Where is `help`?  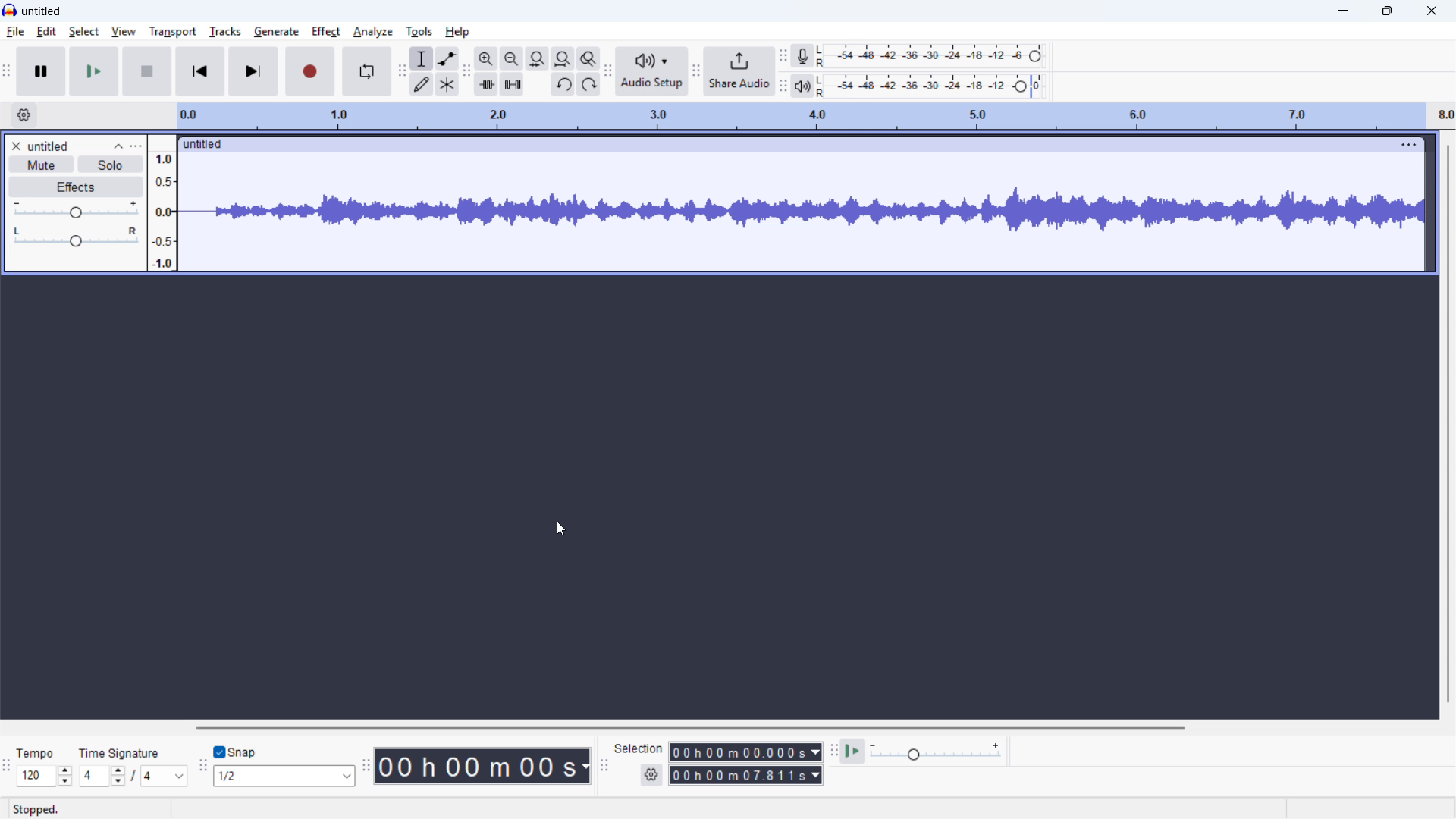
help is located at coordinates (458, 31).